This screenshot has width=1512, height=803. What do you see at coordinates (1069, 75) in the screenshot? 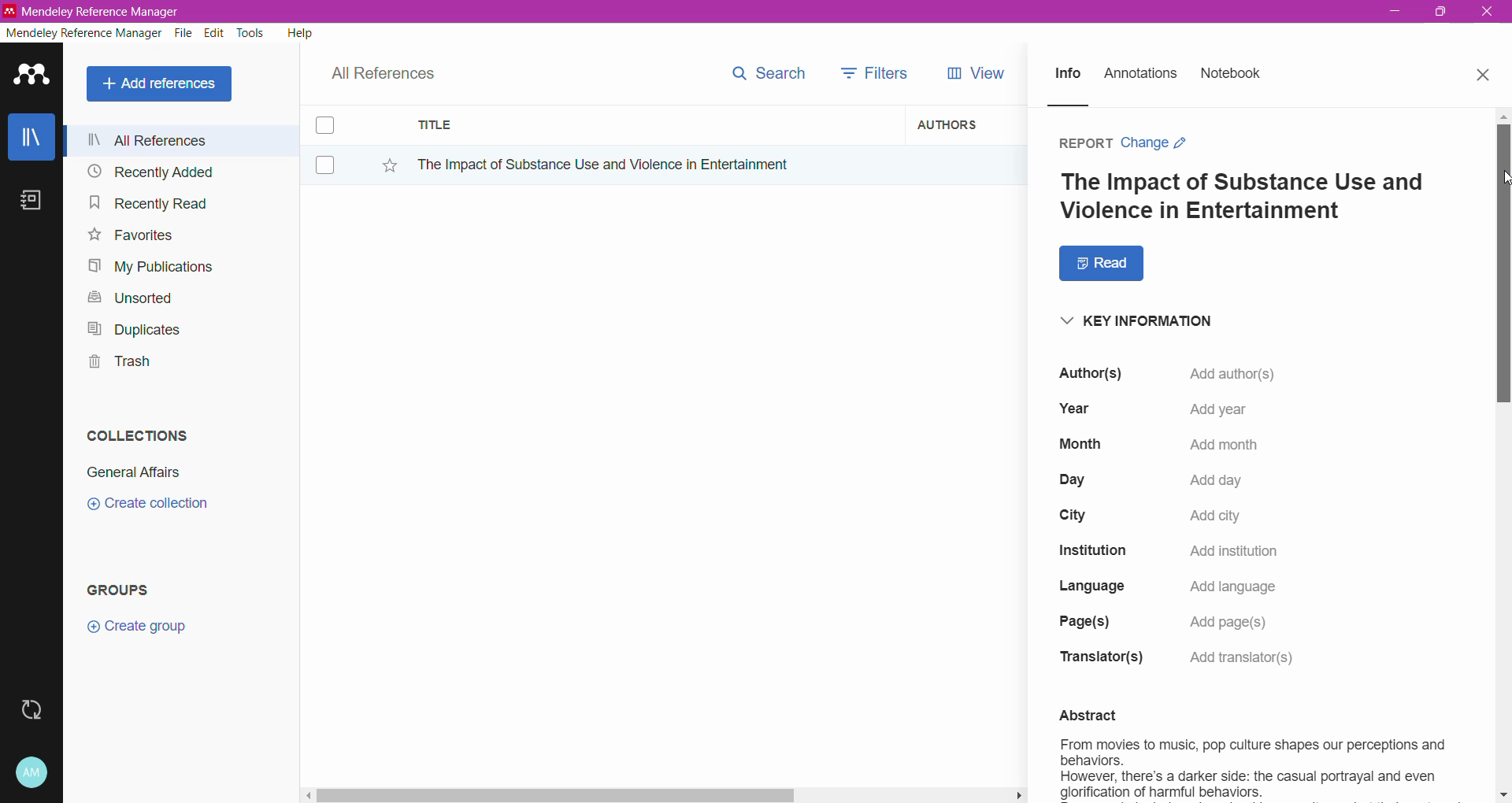
I see `info` at bounding box center [1069, 75].